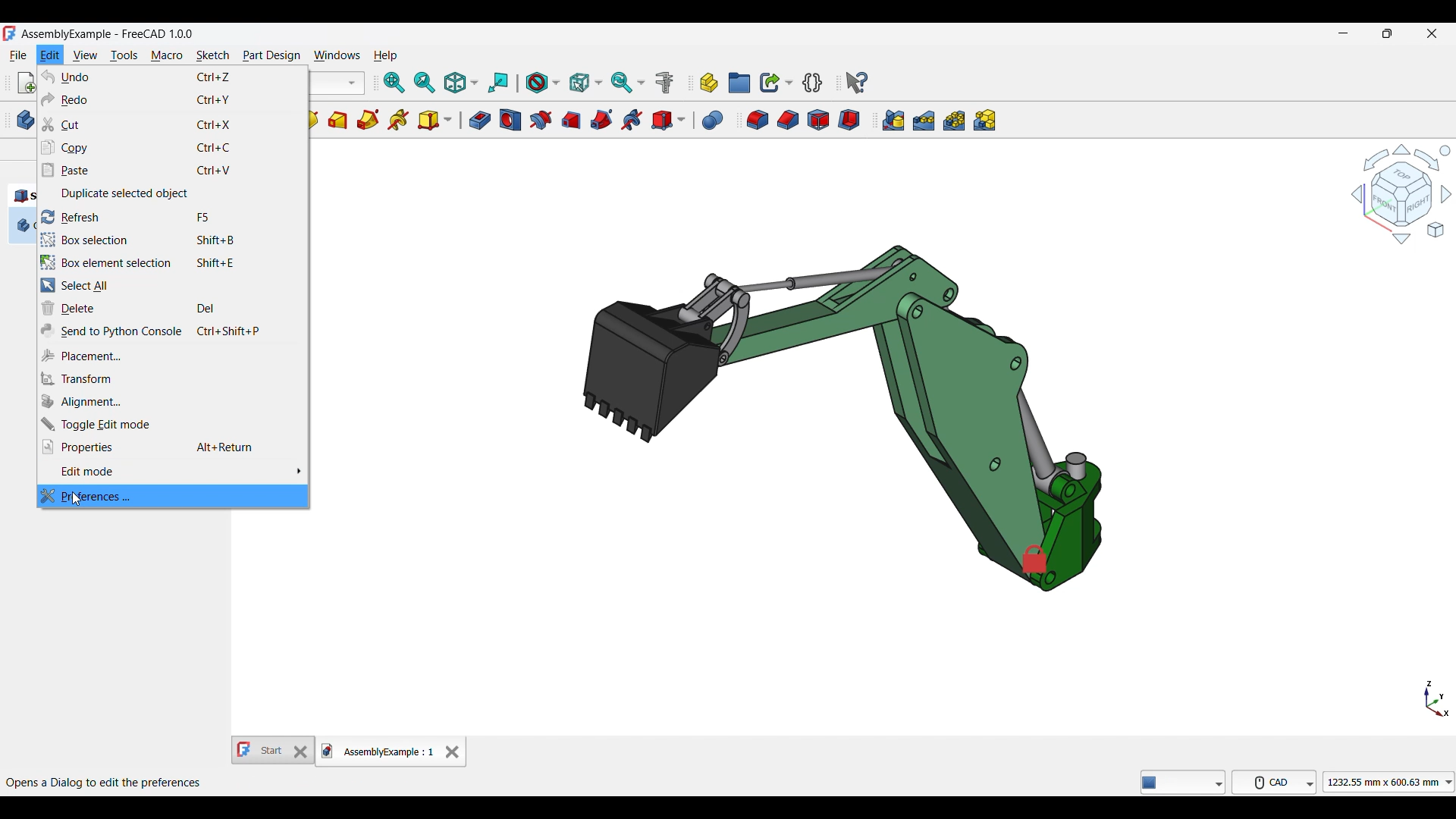  What do you see at coordinates (369, 120) in the screenshot?
I see `Additve pipe` at bounding box center [369, 120].